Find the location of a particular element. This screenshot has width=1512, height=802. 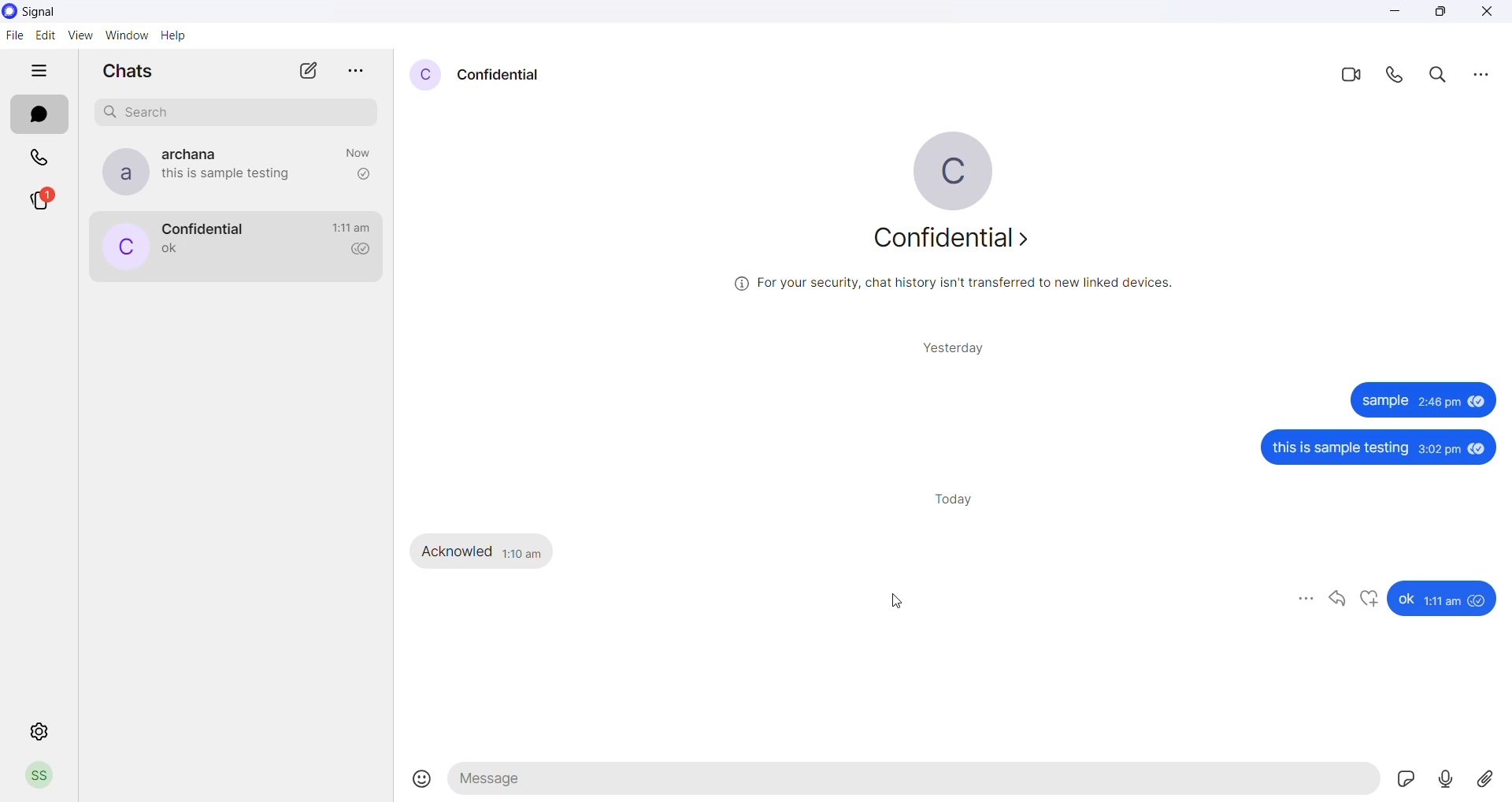

file is located at coordinates (13, 37).